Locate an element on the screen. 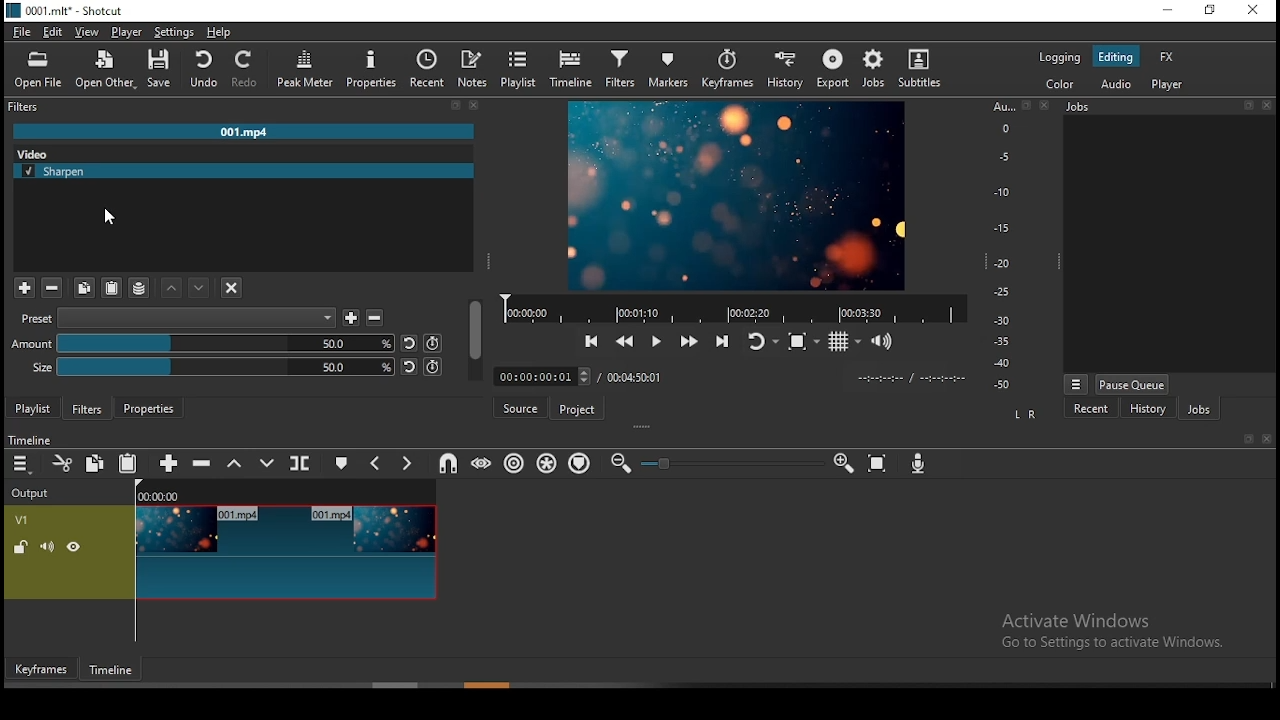 The image size is (1280, 720). peak meter is located at coordinates (304, 70).